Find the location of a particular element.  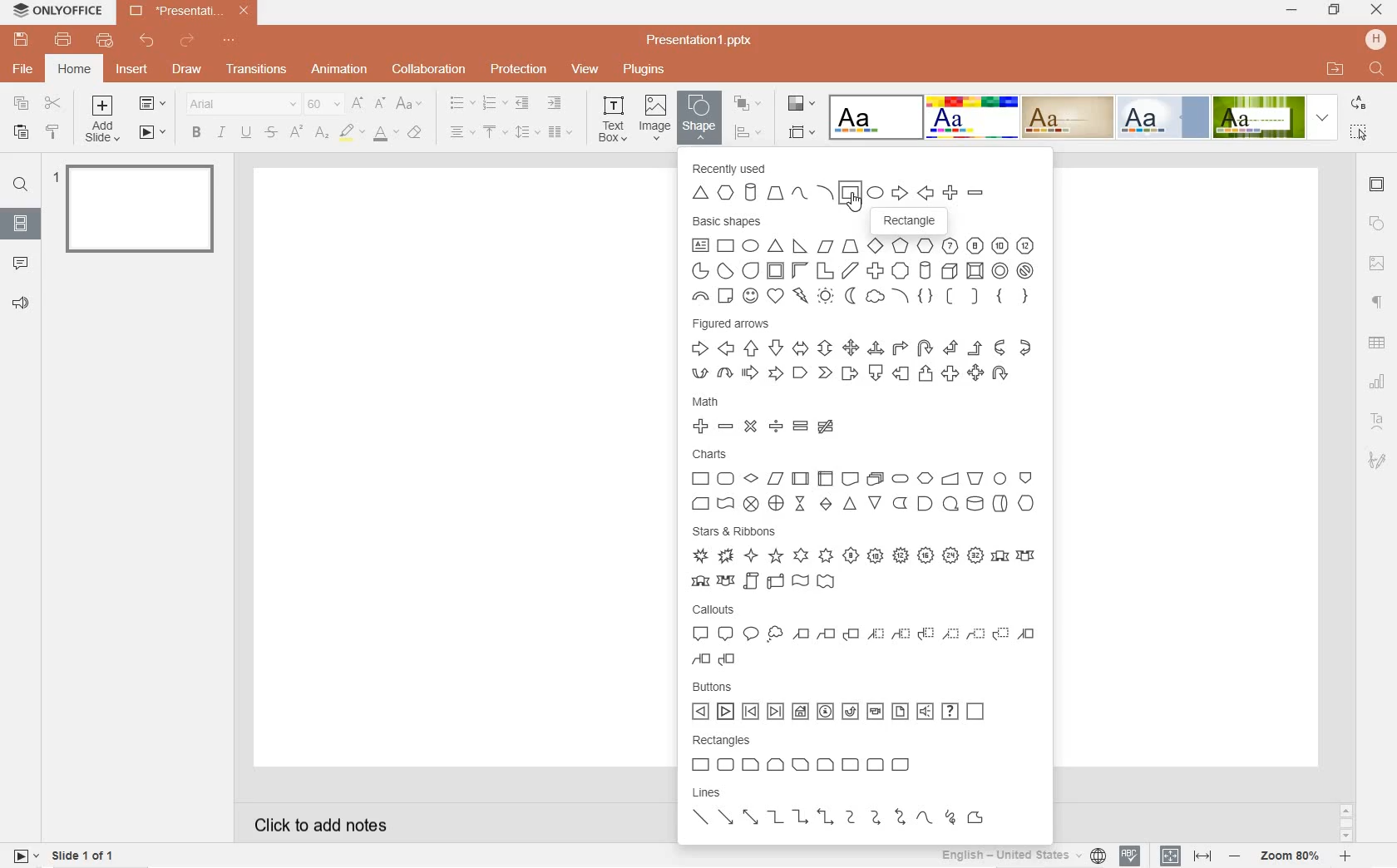

Punched Tape is located at coordinates (727, 505).